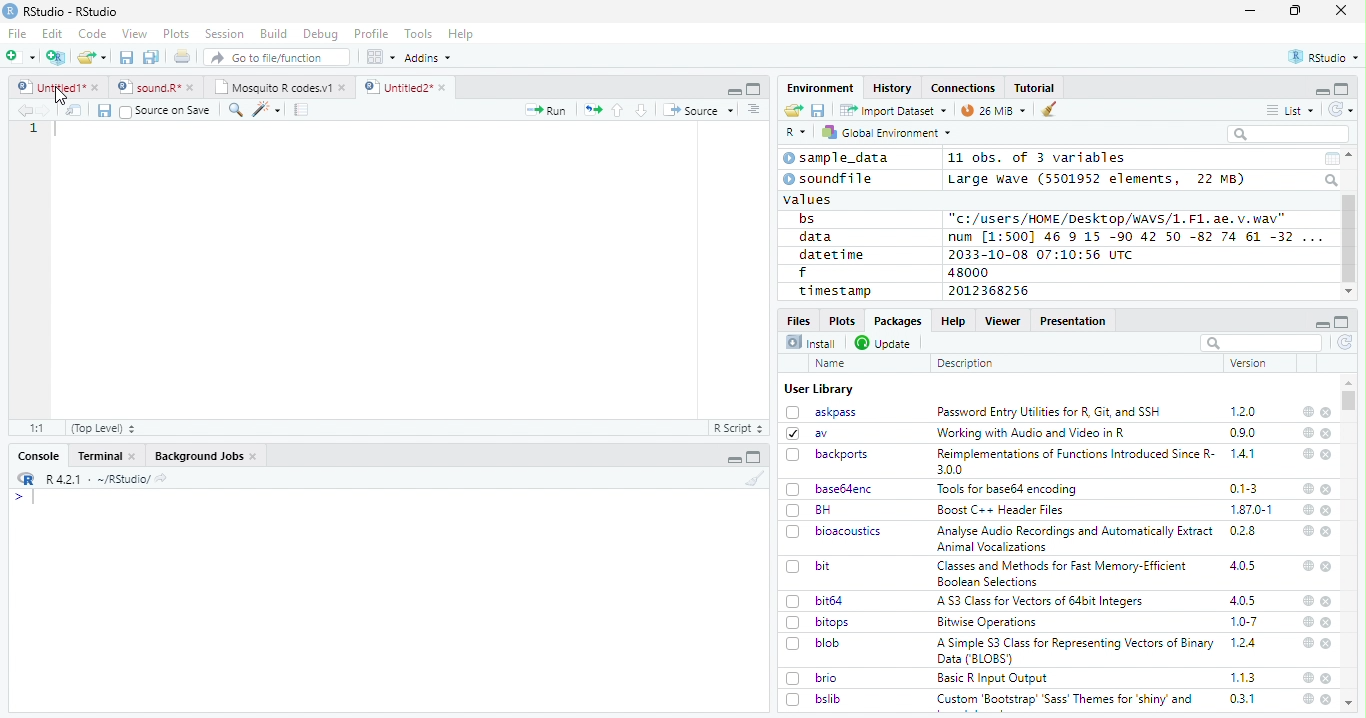 The image size is (1366, 718). I want to click on File, so click(16, 33).